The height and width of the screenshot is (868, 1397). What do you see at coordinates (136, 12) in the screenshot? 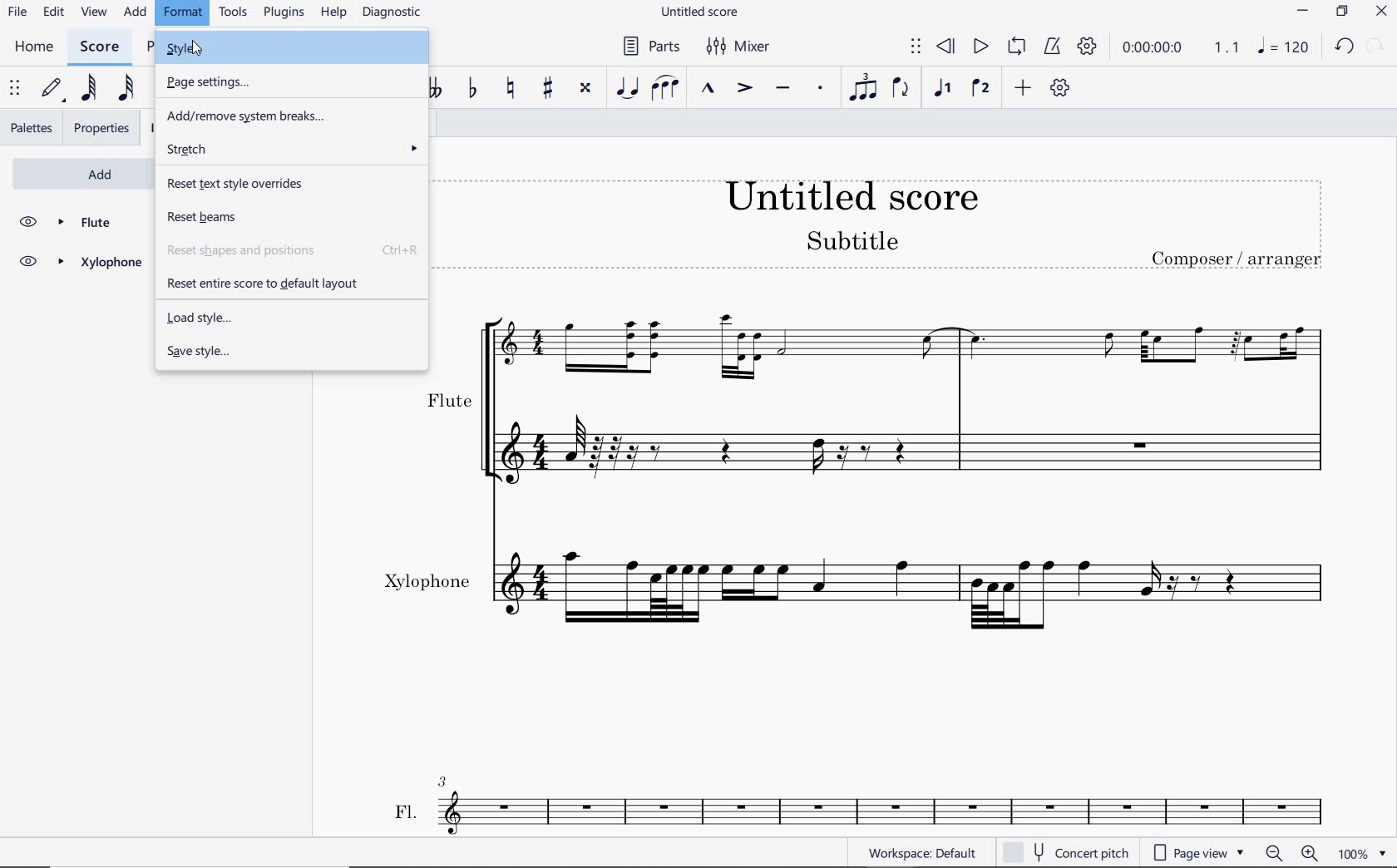
I see `ADD` at bounding box center [136, 12].